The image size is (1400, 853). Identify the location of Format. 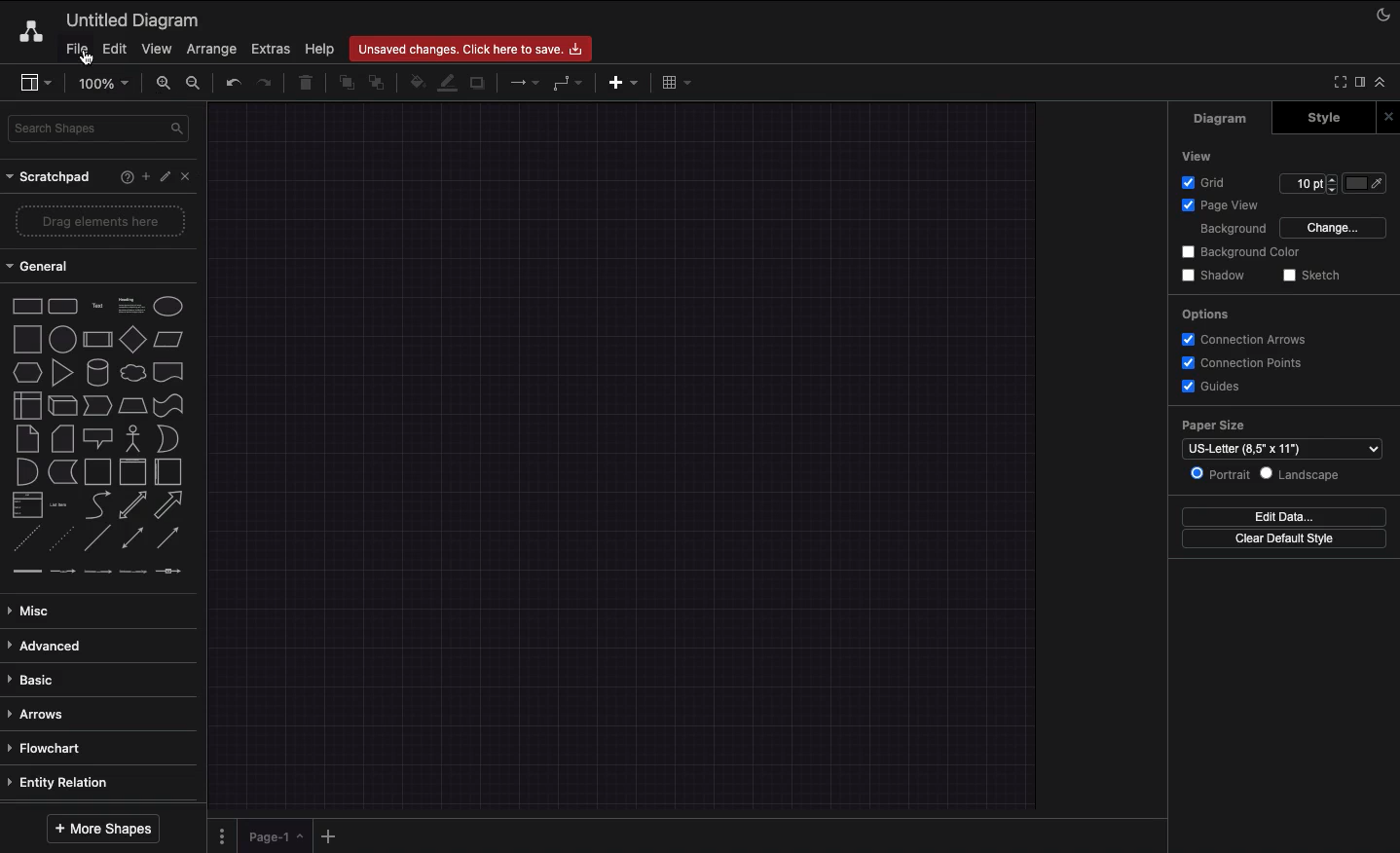
(1361, 85).